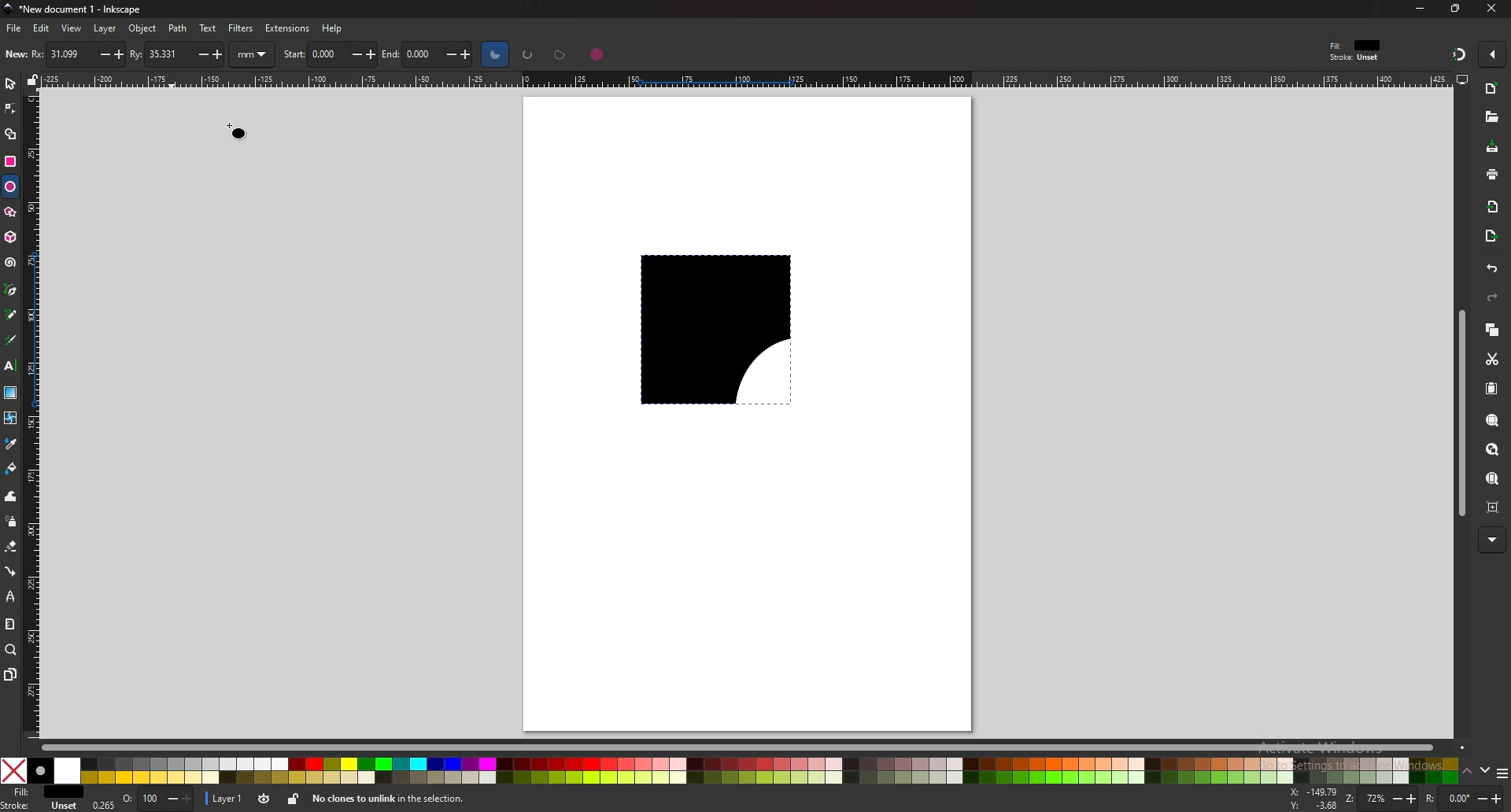 The image size is (1511, 812). Describe the element at coordinates (225, 799) in the screenshot. I see `layer` at that location.